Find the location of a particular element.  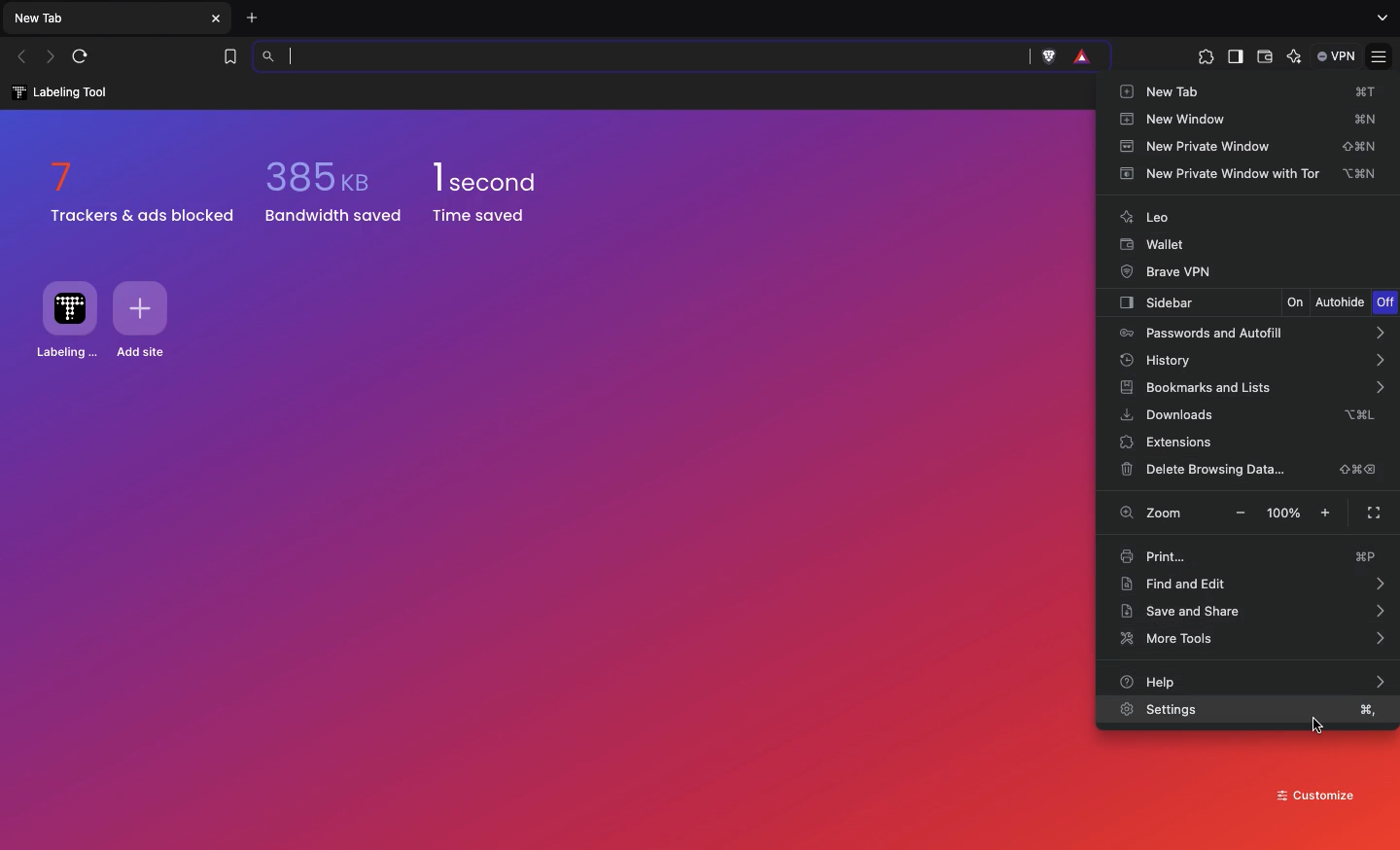

brave rewards is located at coordinates (1079, 55).